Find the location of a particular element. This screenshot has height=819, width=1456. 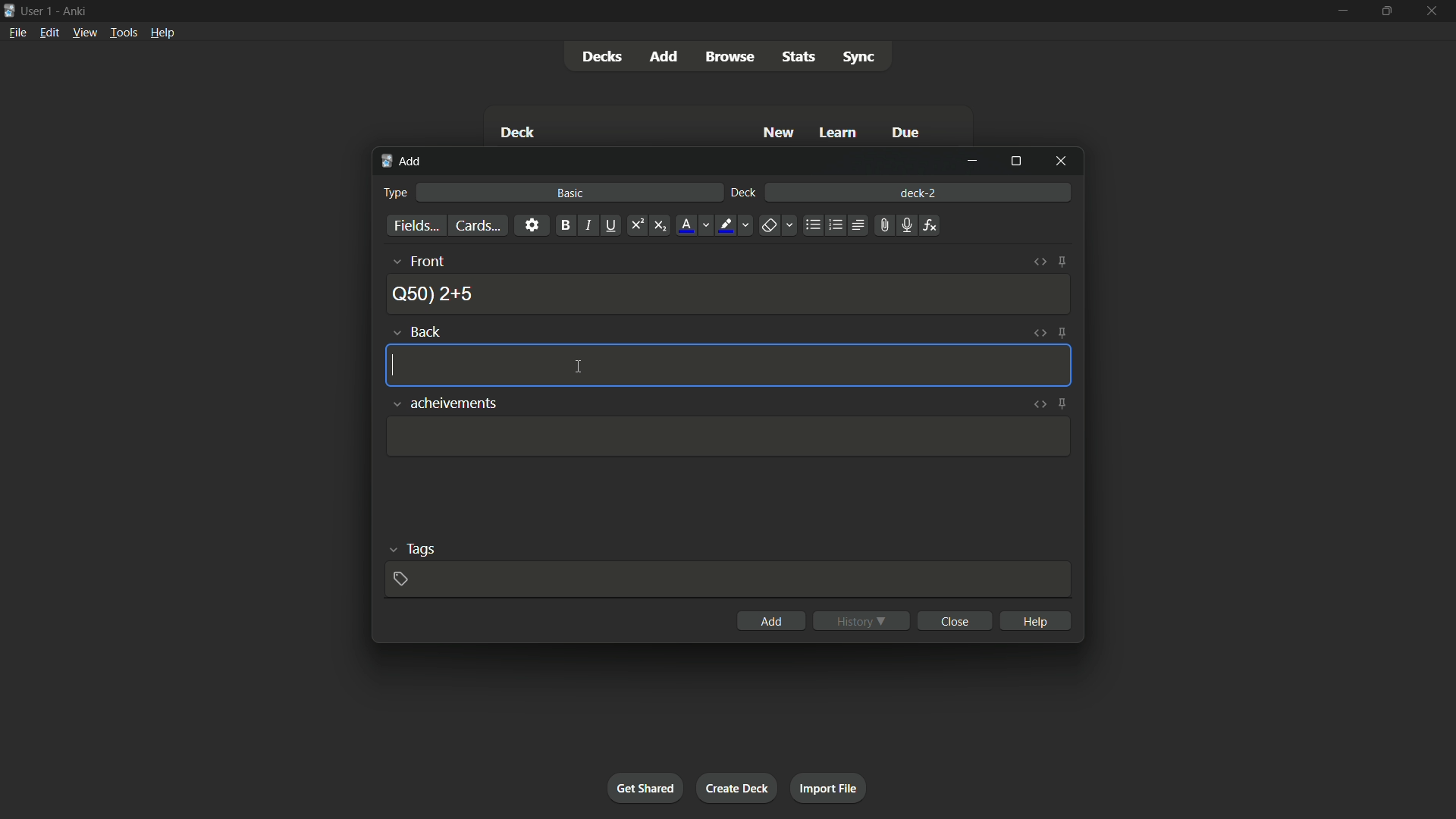

equations is located at coordinates (930, 225).